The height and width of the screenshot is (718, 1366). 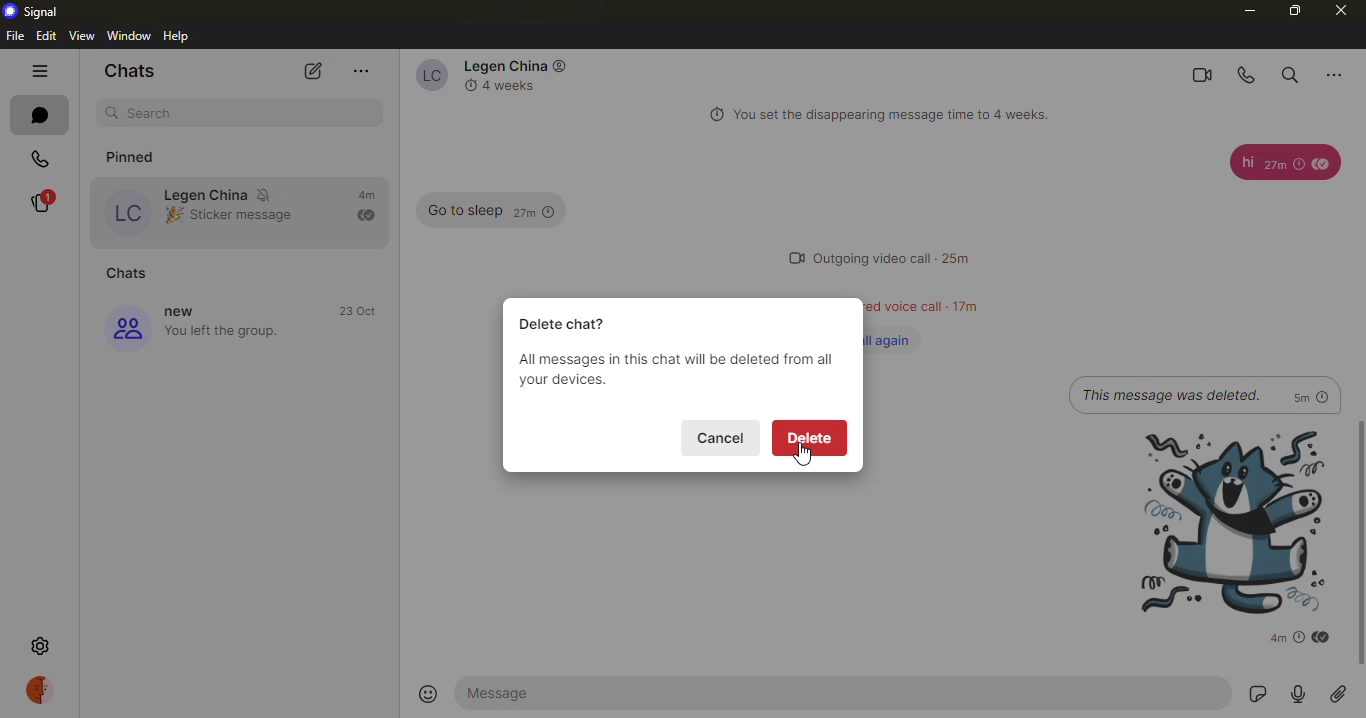 I want to click on more, so click(x=361, y=72).